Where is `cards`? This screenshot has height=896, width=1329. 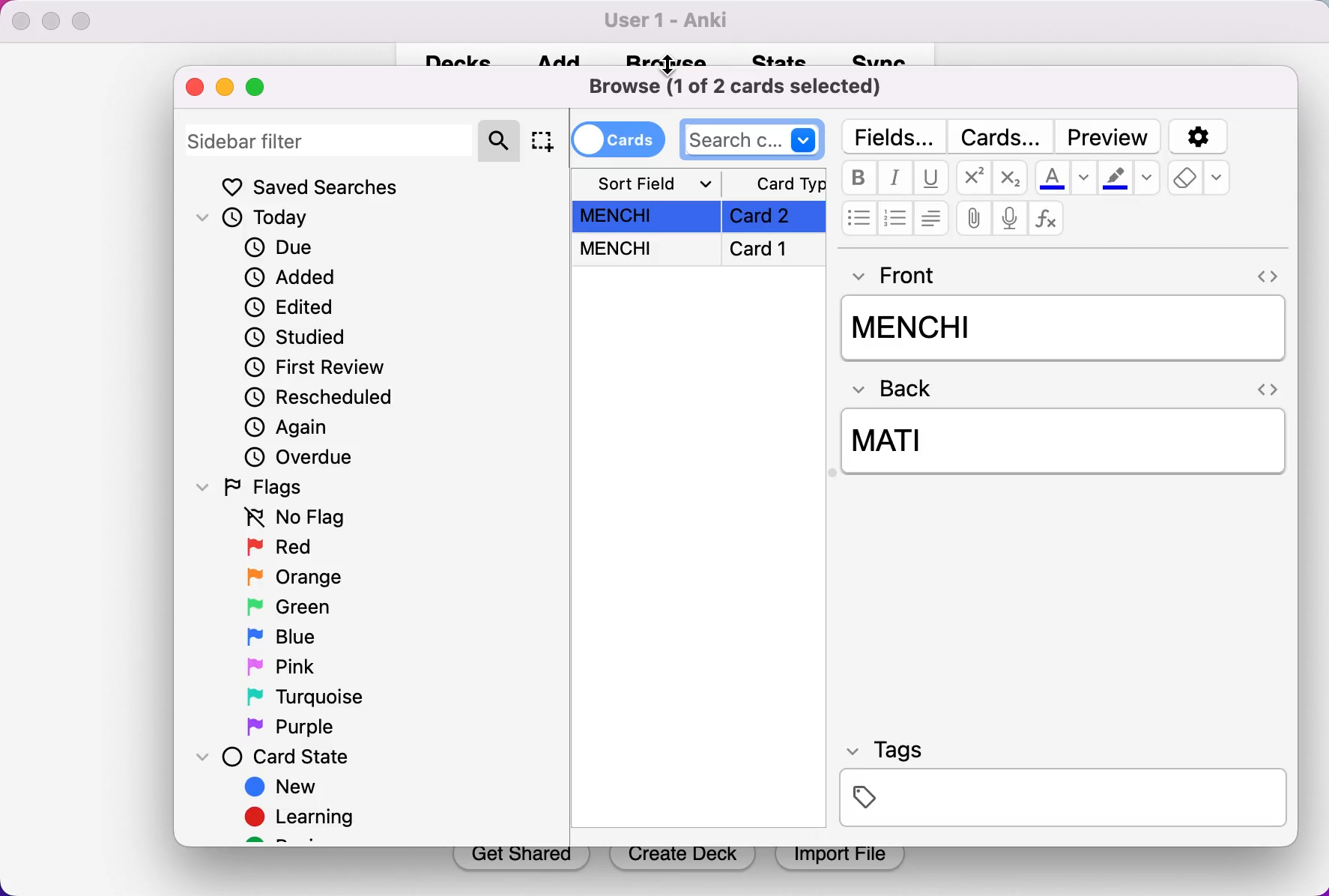 cards is located at coordinates (620, 139).